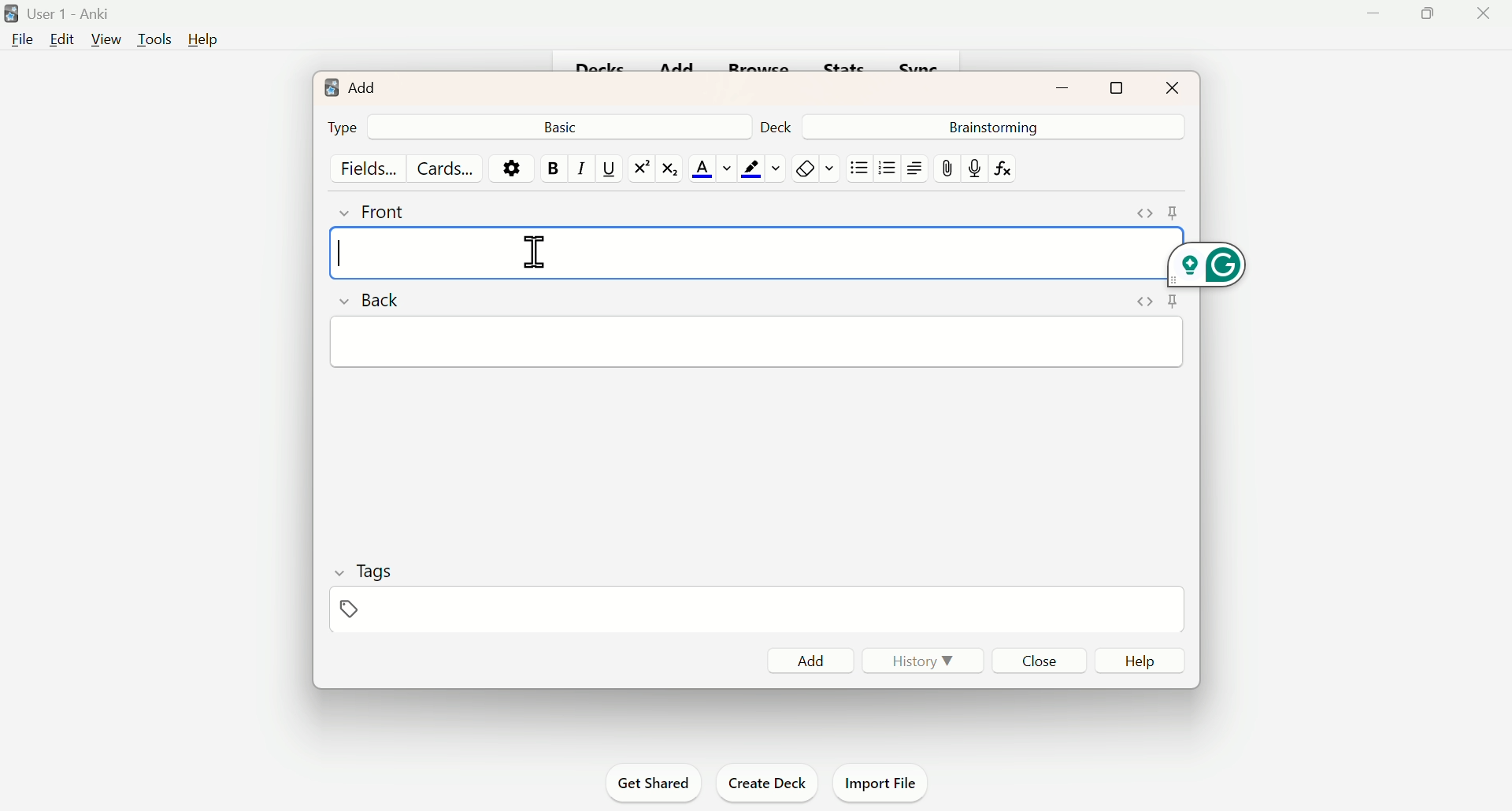  Describe the element at coordinates (1432, 17) in the screenshot. I see ` Maimize` at that location.